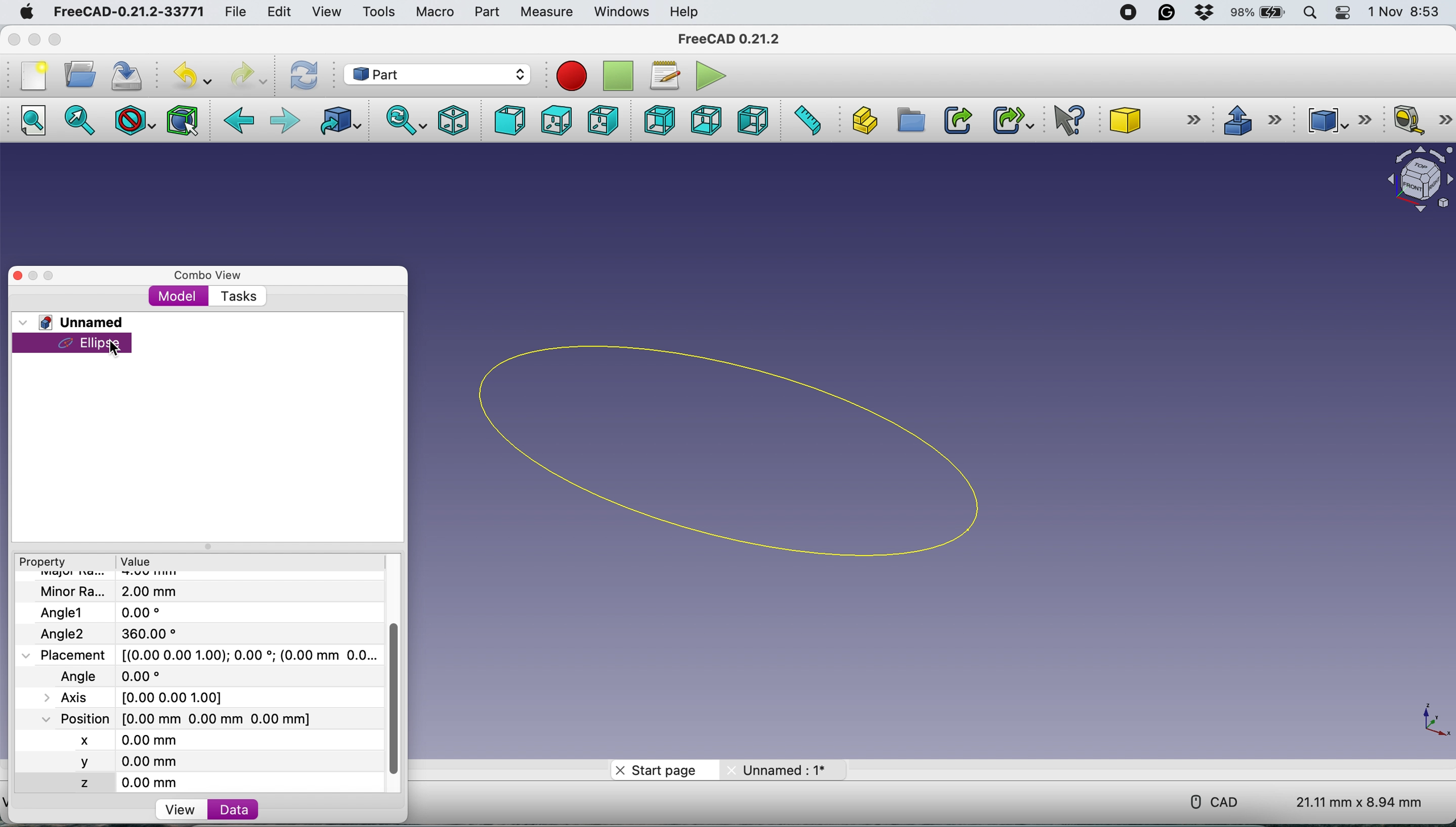 This screenshot has height=827, width=1456. What do you see at coordinates (144, 695) in the screenshot?
I see `Axis` at bounding box center [144, 695].